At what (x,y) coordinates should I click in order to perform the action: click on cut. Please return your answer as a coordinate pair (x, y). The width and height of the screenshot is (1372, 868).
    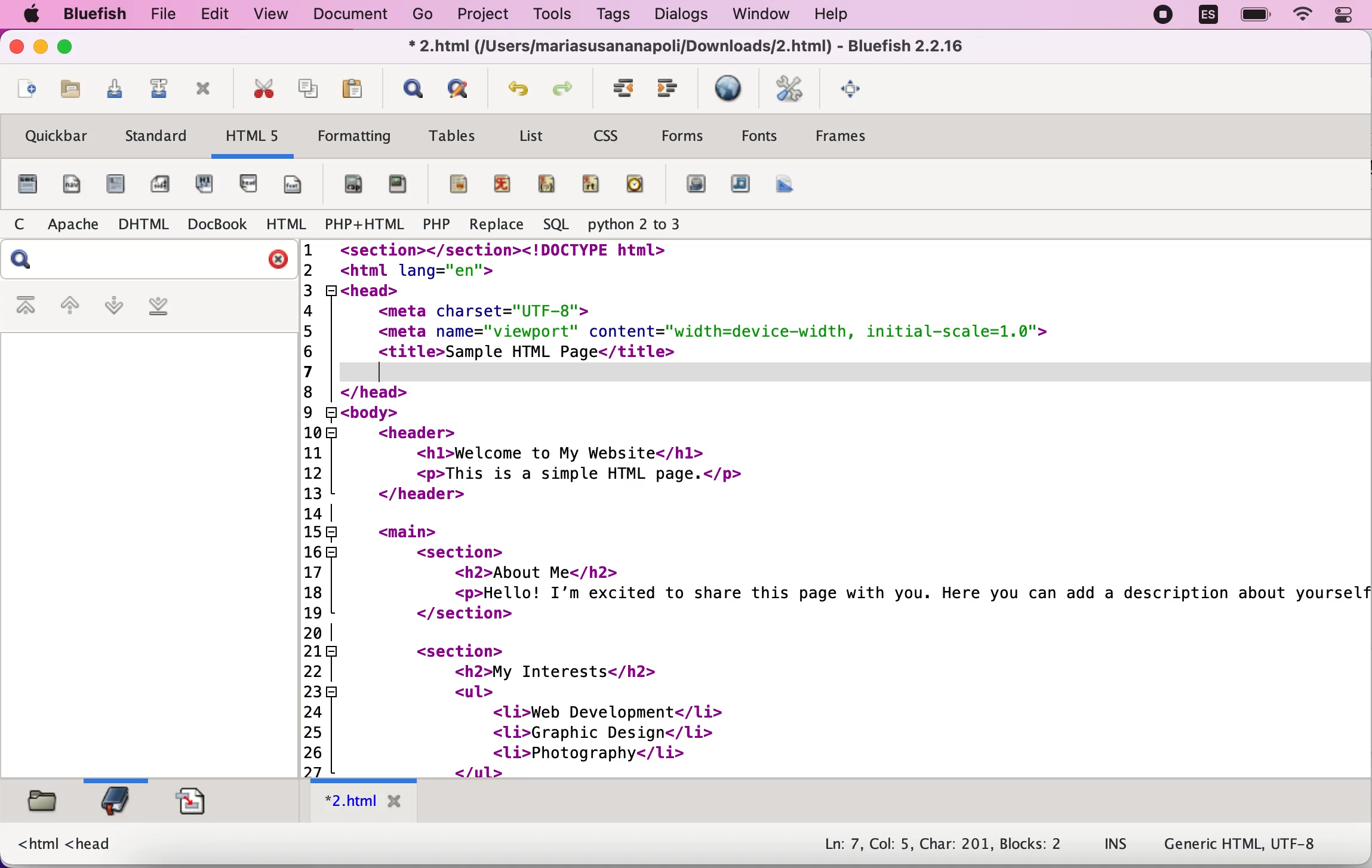
    Looking at the image, I should click on (265, 90).